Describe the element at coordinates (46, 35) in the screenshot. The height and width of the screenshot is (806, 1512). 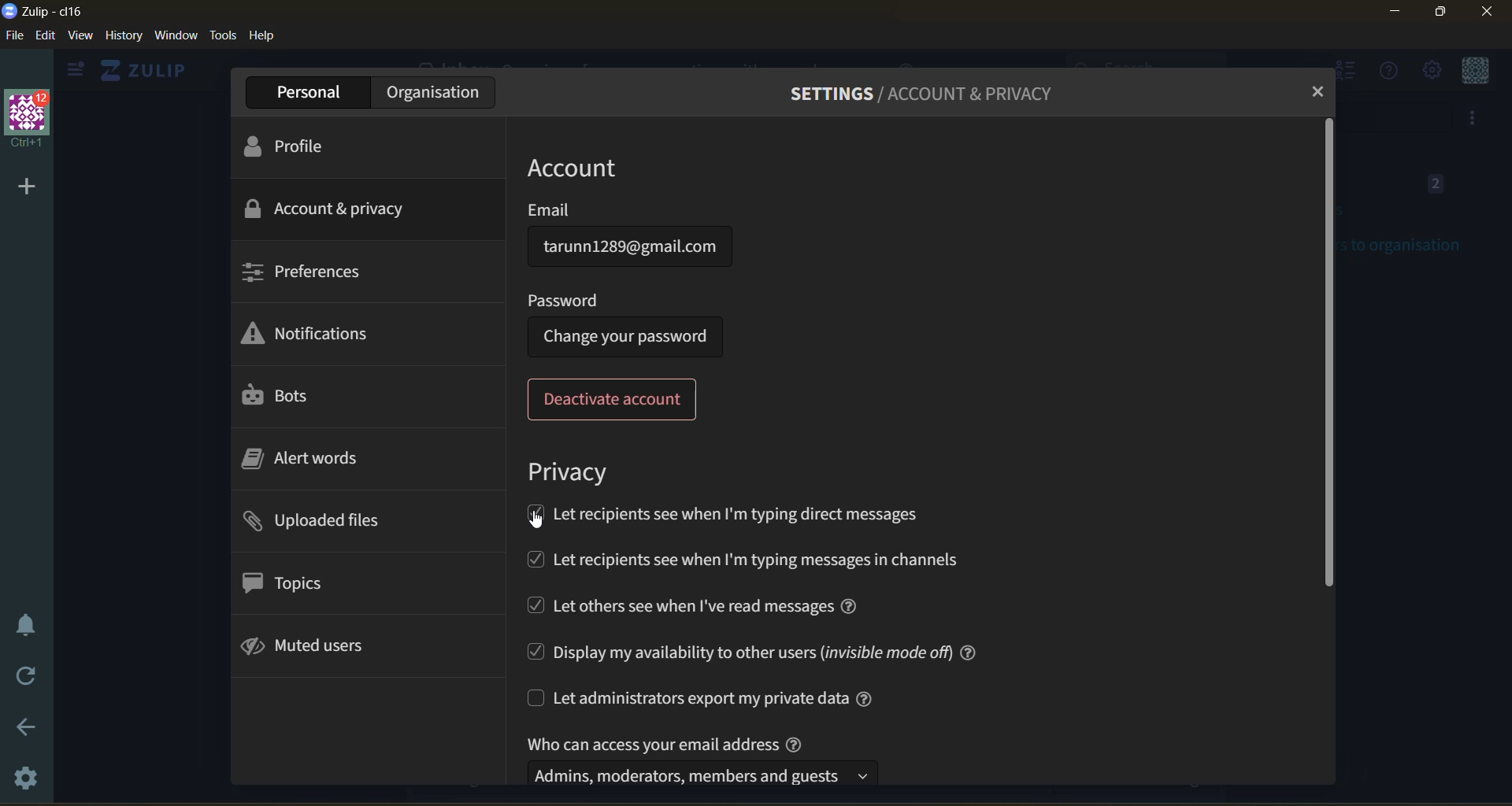
I see `edit` at that location.